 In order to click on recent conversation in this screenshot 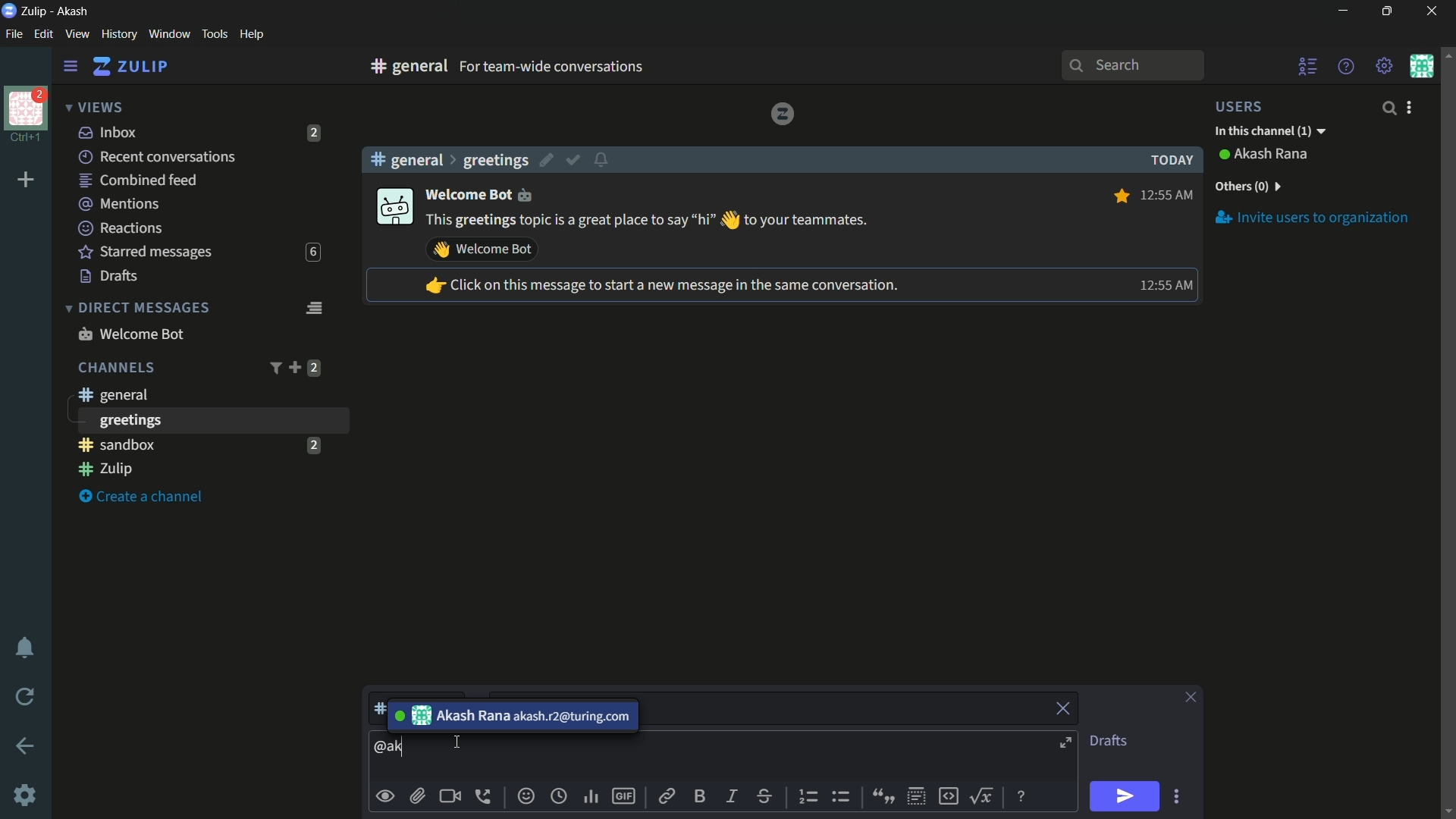, I will do `click(158, 157)`.